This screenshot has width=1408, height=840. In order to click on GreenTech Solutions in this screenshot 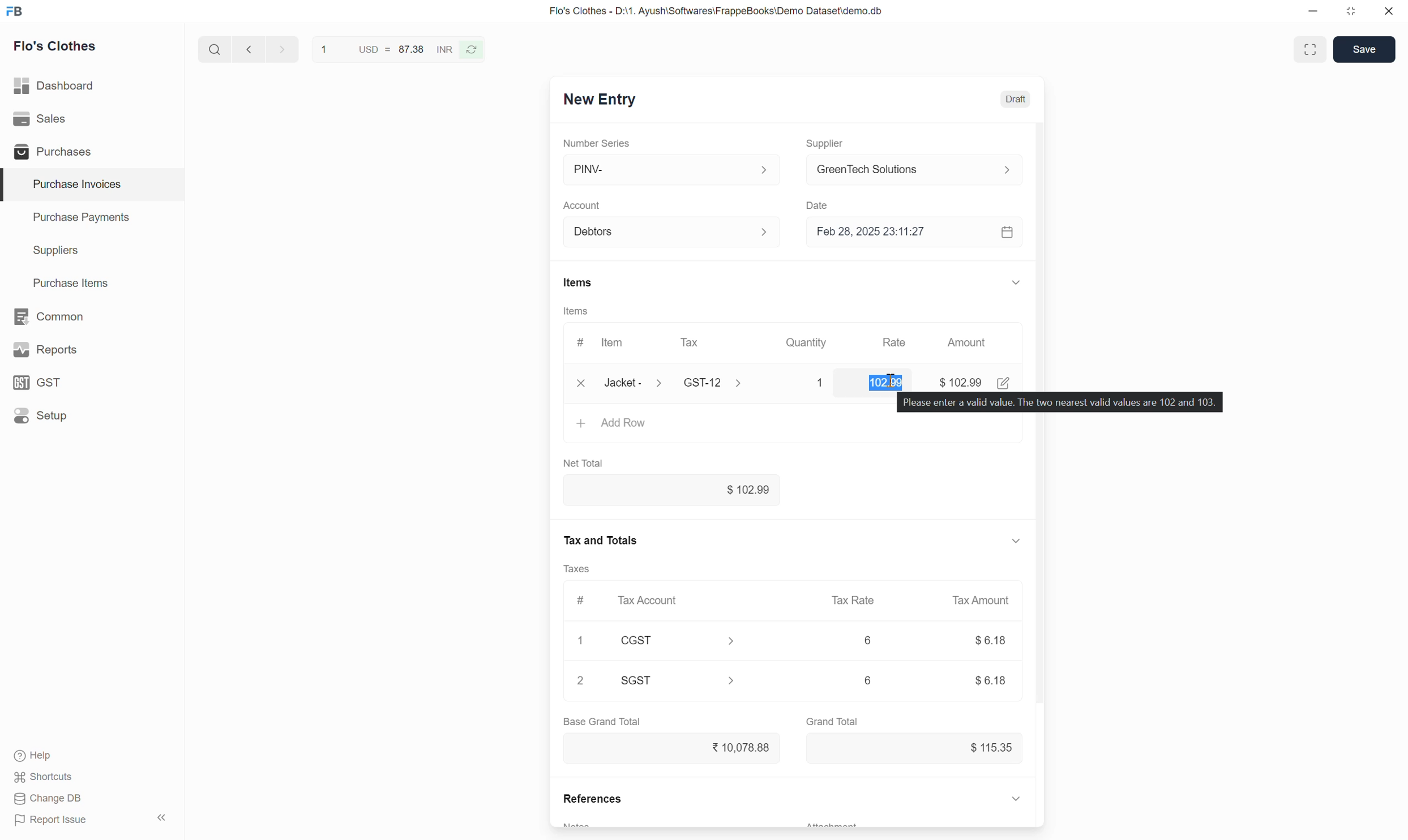, I will do `click(921, 169)`.